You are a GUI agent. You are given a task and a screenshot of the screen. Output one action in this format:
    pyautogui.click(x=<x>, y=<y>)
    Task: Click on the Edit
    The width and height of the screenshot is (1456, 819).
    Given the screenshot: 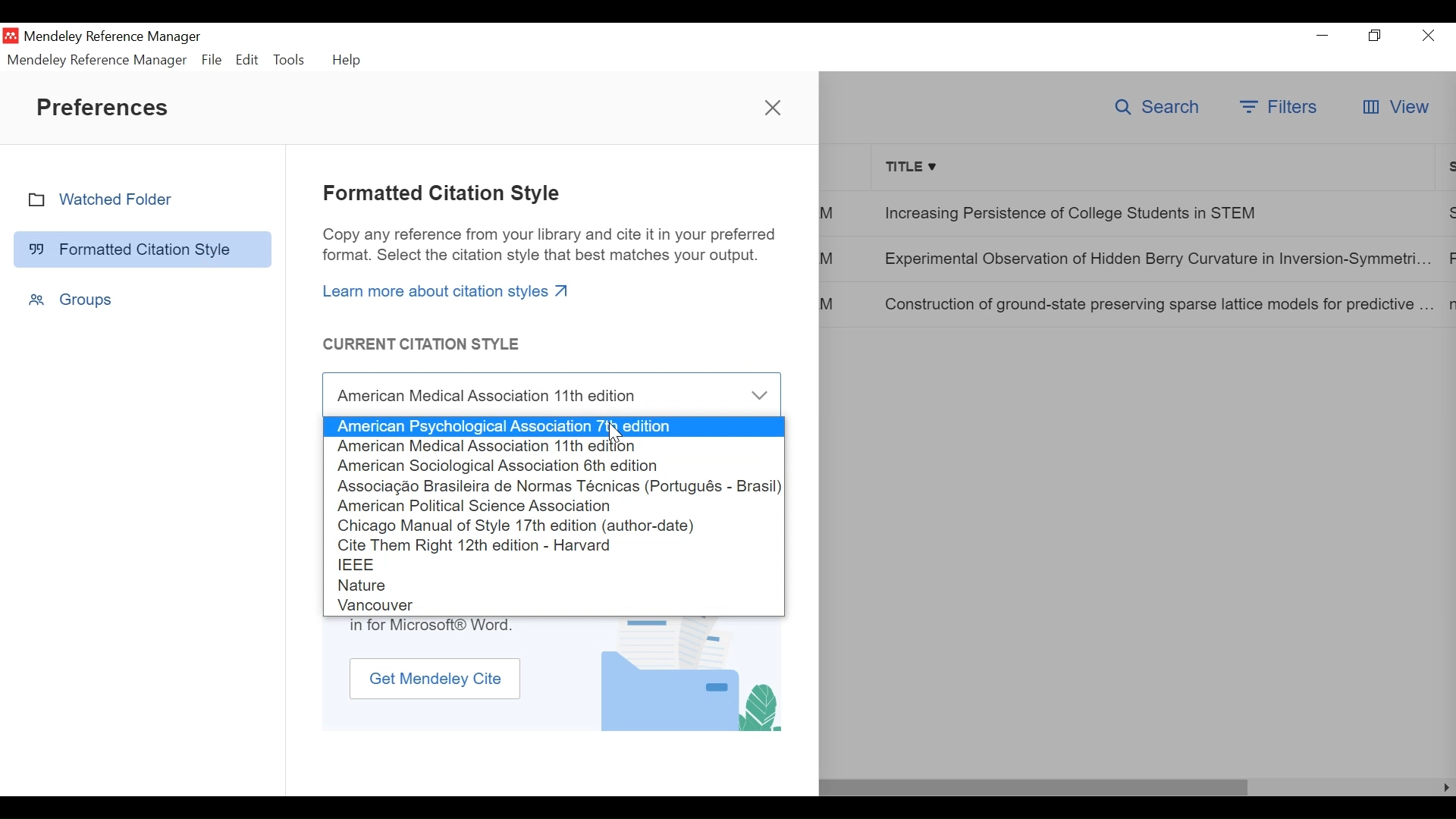 What is the action you would take?
    pyautogui.click(x=246, y=59)
    